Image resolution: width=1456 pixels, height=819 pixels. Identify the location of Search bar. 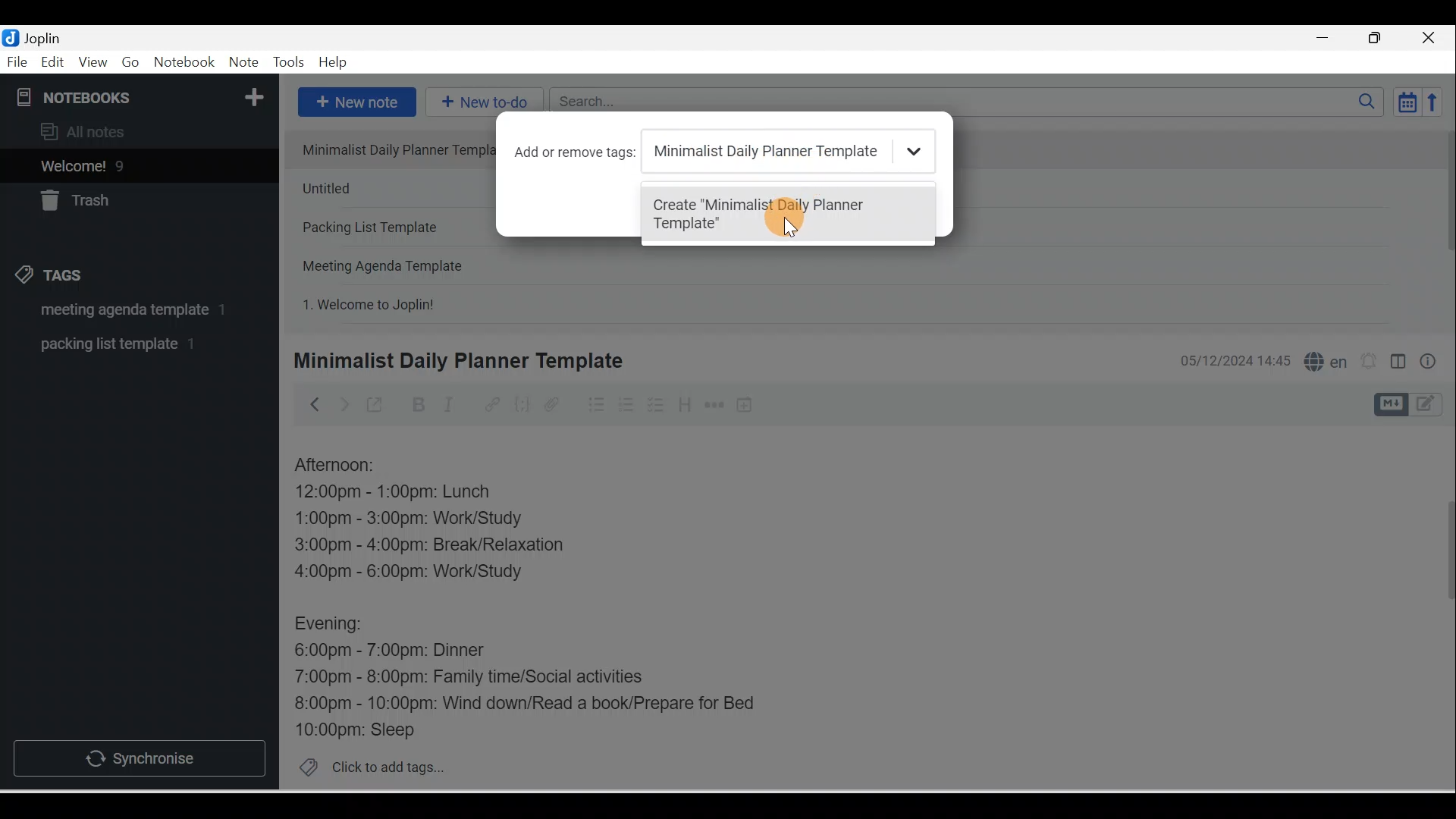
(971, 102).